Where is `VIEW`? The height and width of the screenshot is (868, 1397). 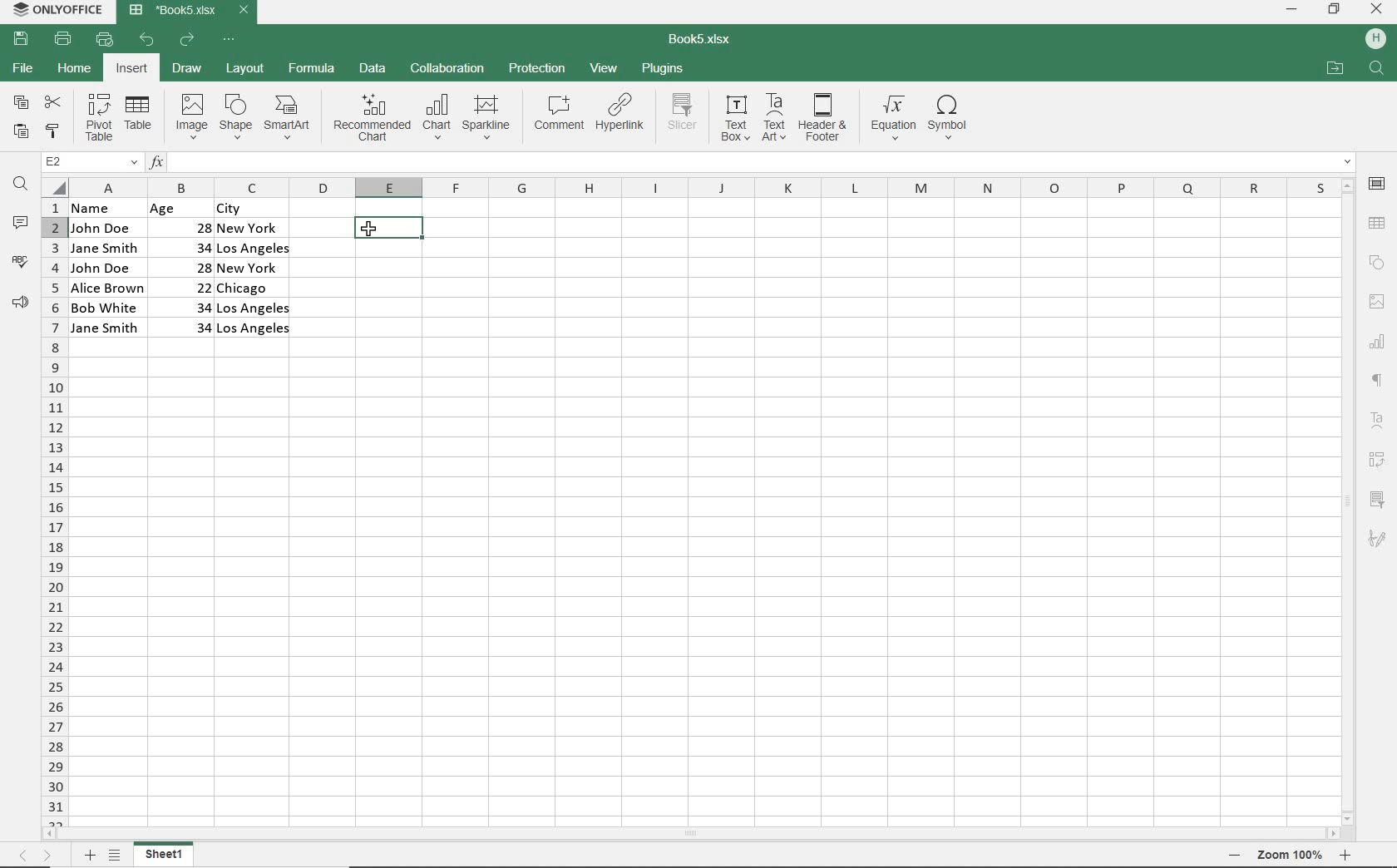 VIEW is located at coordinates (604, 68).